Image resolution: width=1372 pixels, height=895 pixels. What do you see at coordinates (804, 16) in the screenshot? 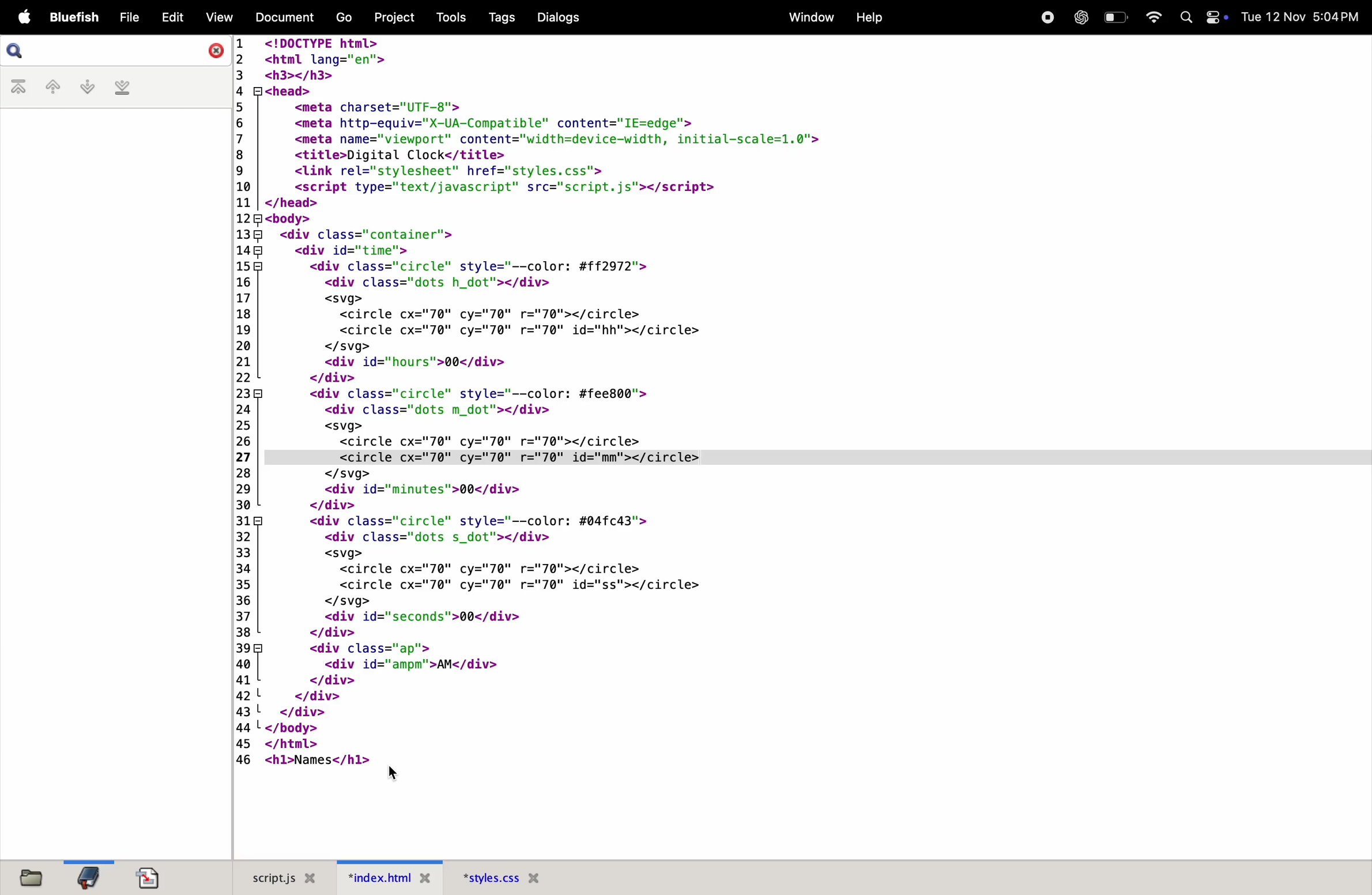
I see `window` at bounding box center [804, 16].